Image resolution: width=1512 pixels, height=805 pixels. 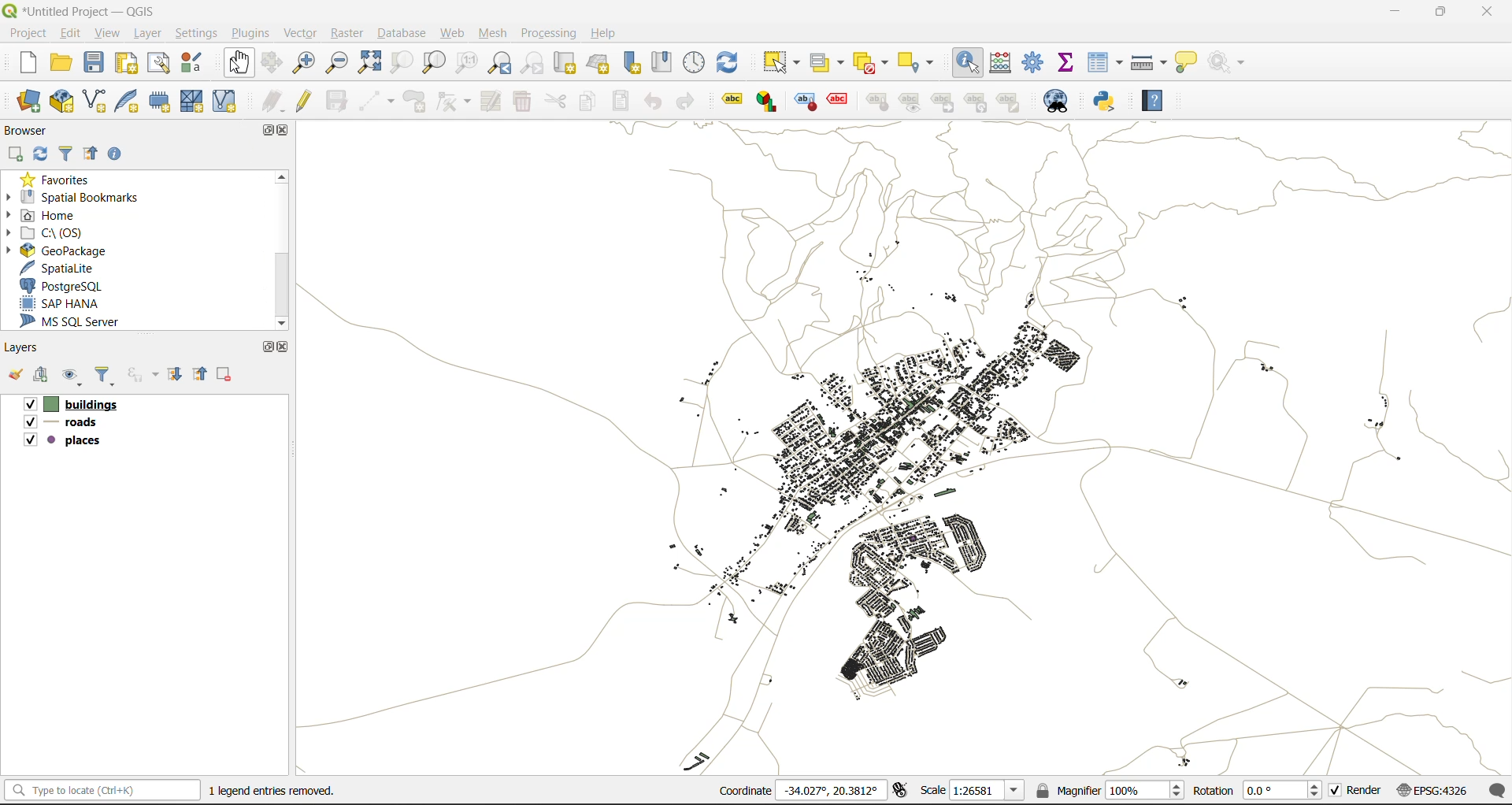 I want to click on pan to selection, so click(x=277, y=62).